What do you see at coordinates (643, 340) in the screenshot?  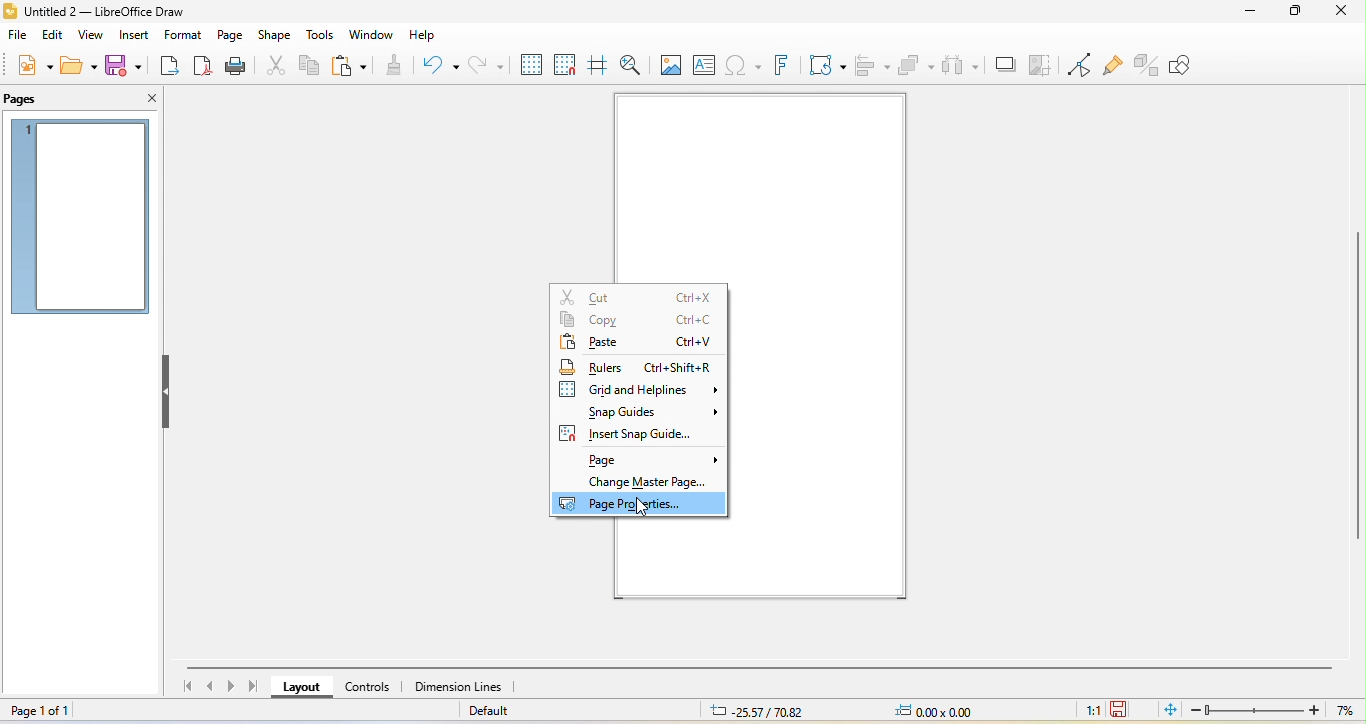 I see `paste` at bounding box center [643, 340].